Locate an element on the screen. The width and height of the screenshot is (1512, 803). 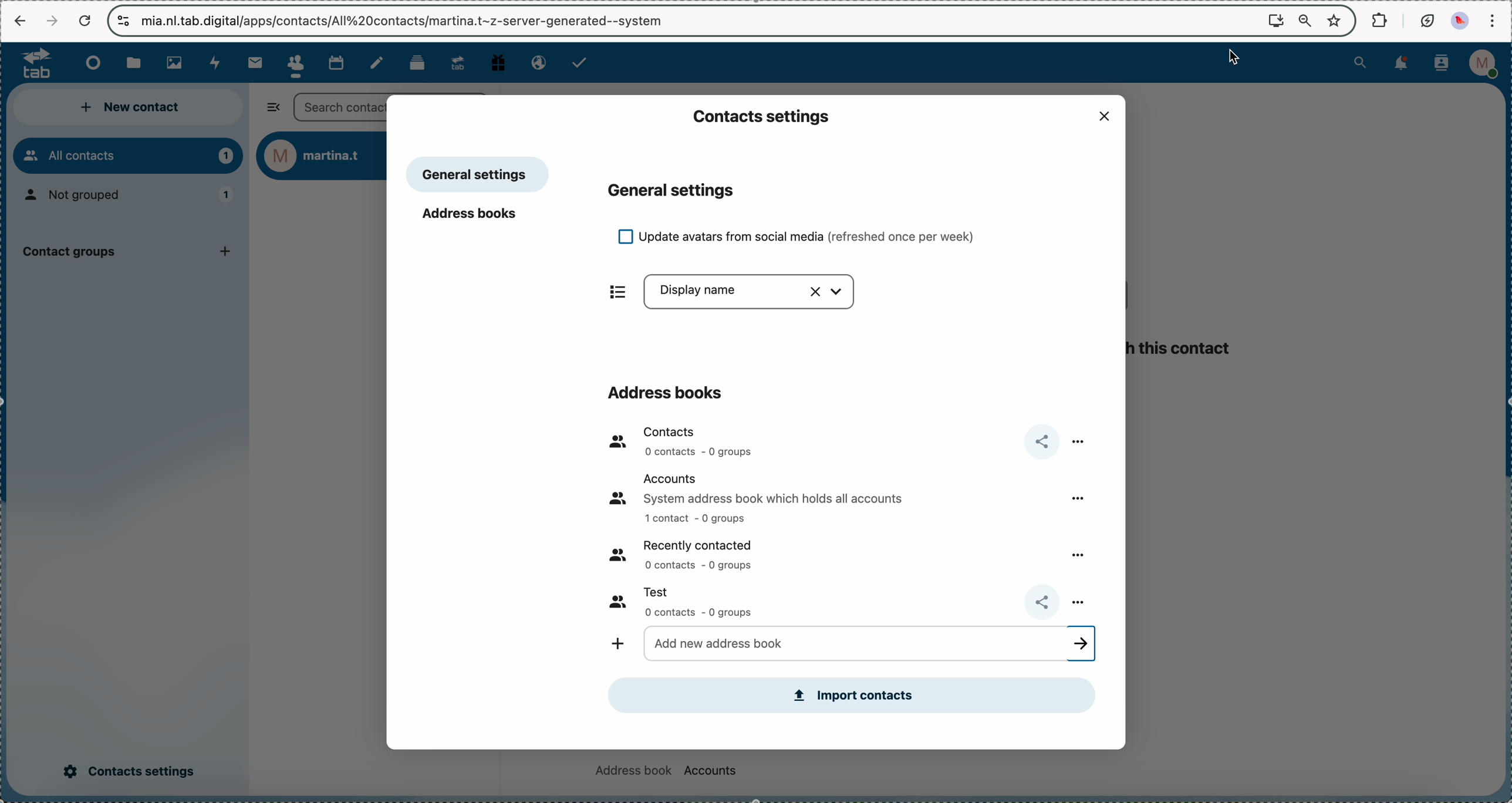
more options is located at coordinates (1076, 500).